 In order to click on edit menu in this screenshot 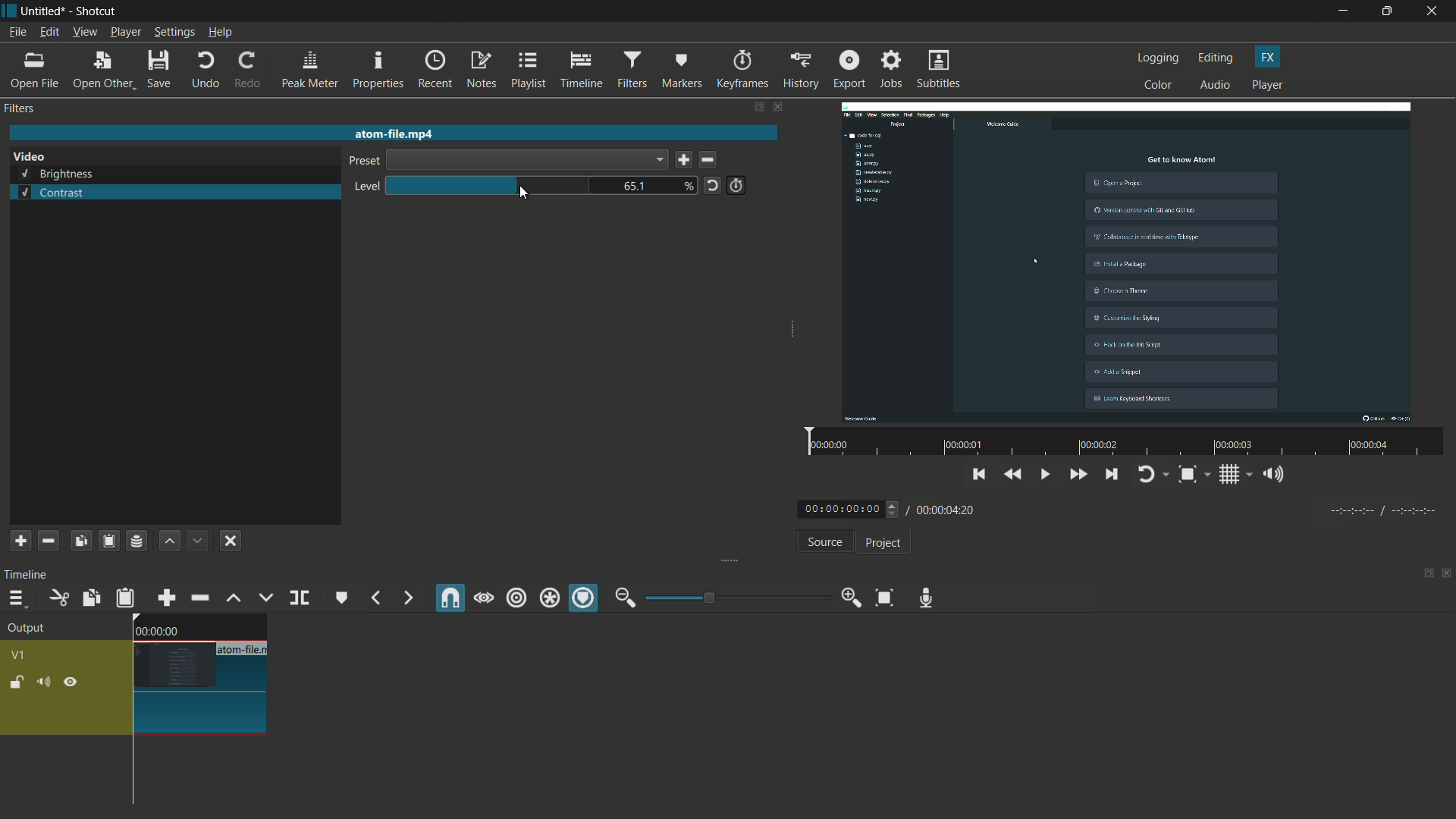, I will do `click(47, 33)`.